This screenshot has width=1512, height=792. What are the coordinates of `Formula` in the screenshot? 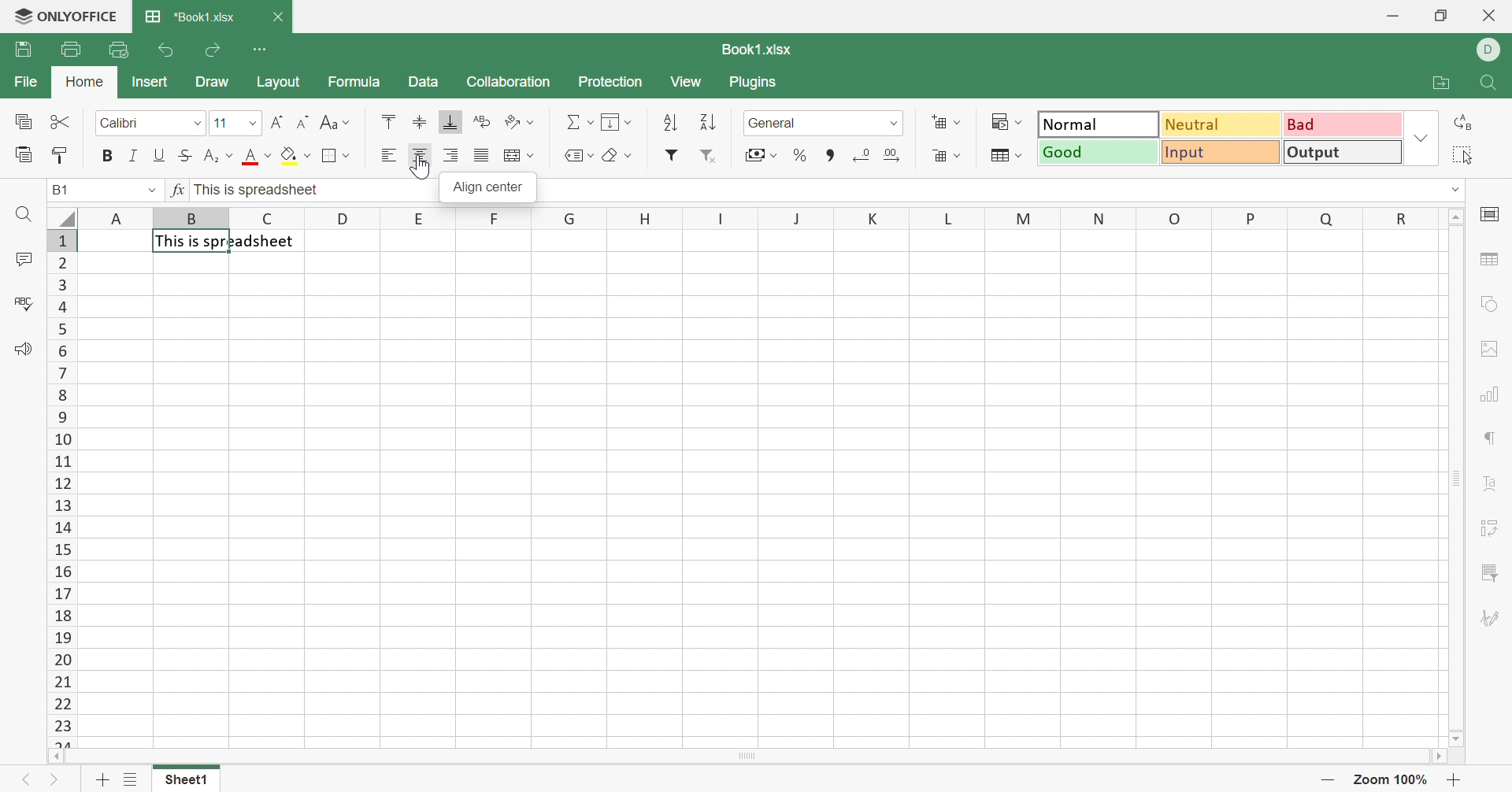 It's located at (353, 80).